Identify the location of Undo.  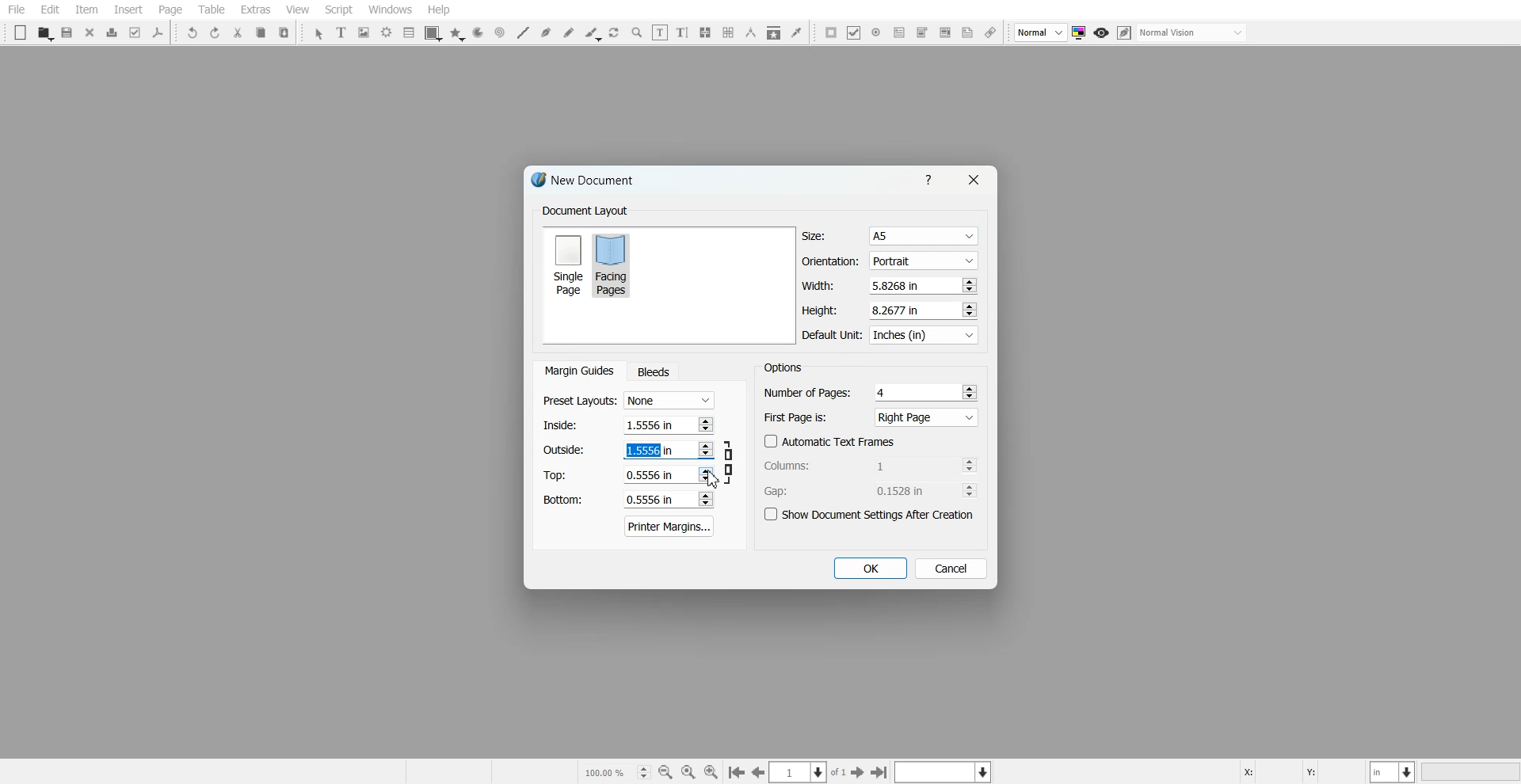
(193, 32).